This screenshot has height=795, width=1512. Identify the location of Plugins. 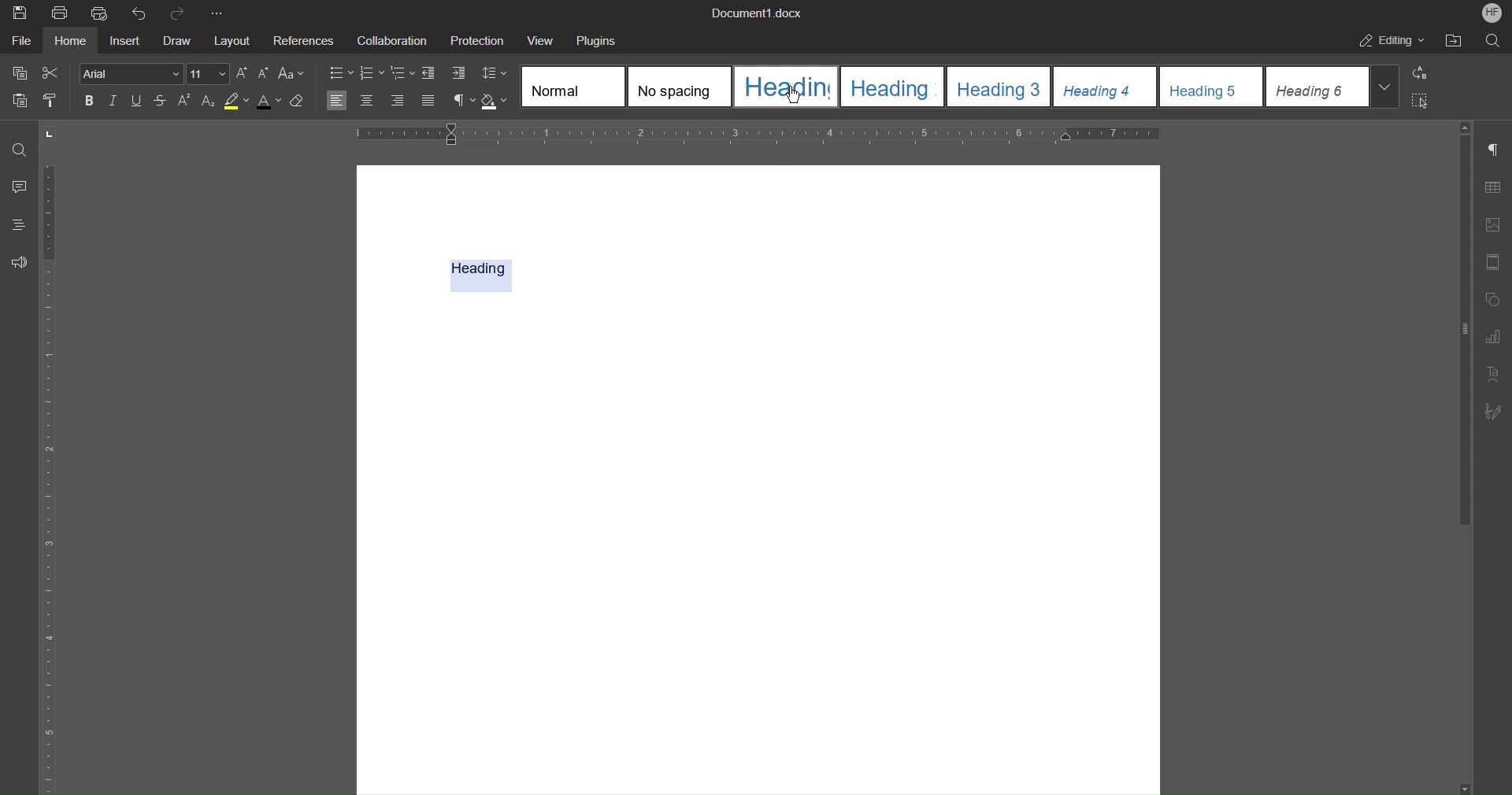
(598, 39).